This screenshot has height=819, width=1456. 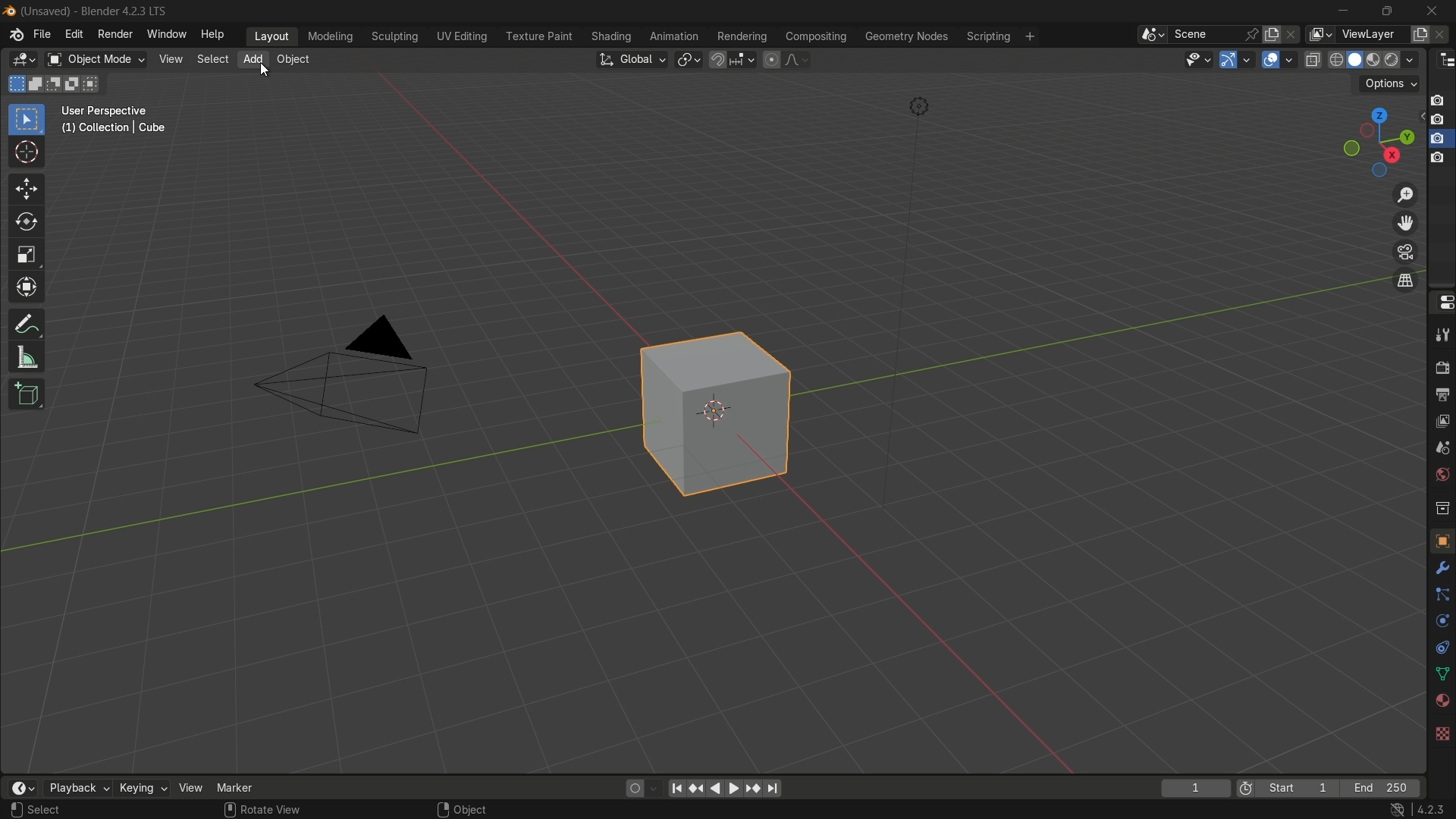 What do you see at coordinates (1441, 451) in the screenshot?
I see `scene` at bounding box center [1441, 451].